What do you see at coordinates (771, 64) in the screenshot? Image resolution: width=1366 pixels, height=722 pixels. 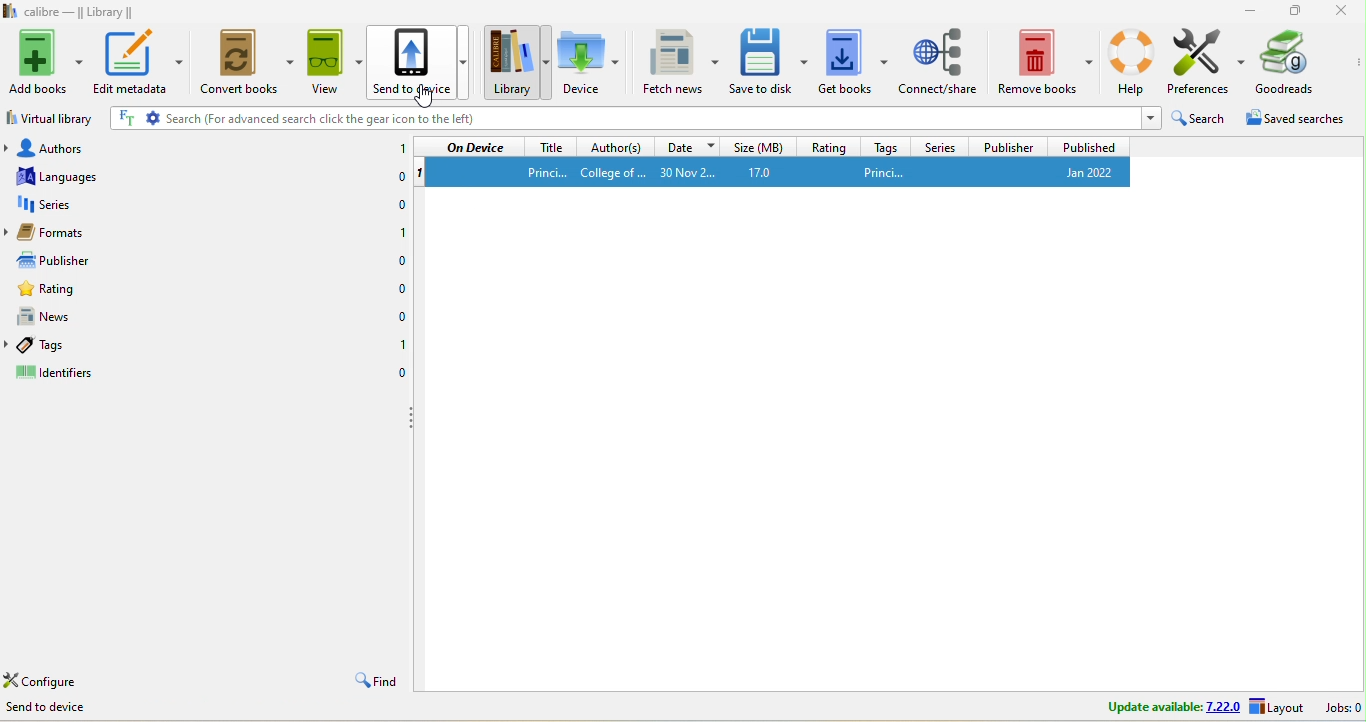 I see `save to disk` at bounding box center [771, 64].